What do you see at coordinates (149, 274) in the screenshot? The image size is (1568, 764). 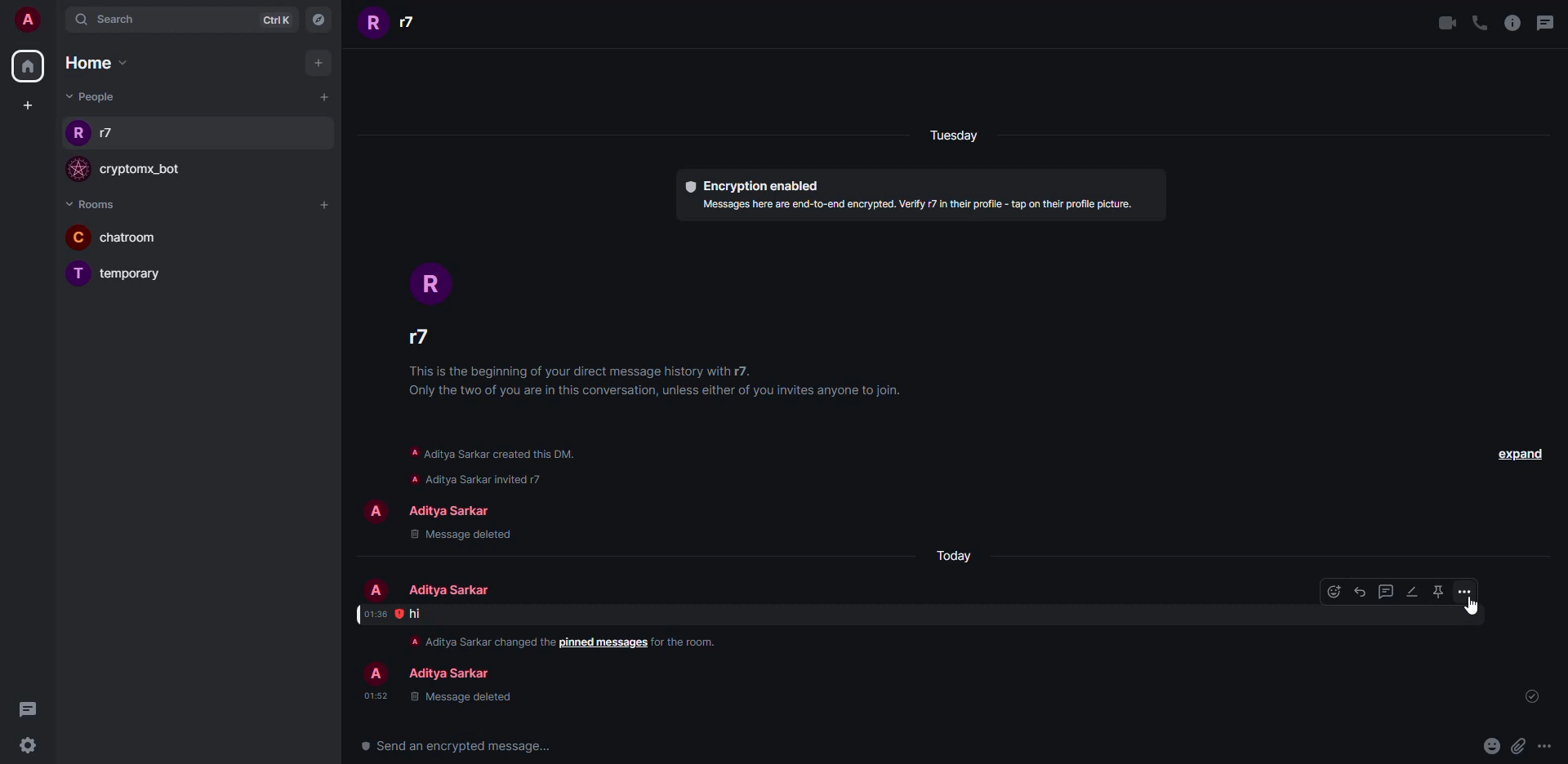 I see `room` at bounding box center [149, 274].